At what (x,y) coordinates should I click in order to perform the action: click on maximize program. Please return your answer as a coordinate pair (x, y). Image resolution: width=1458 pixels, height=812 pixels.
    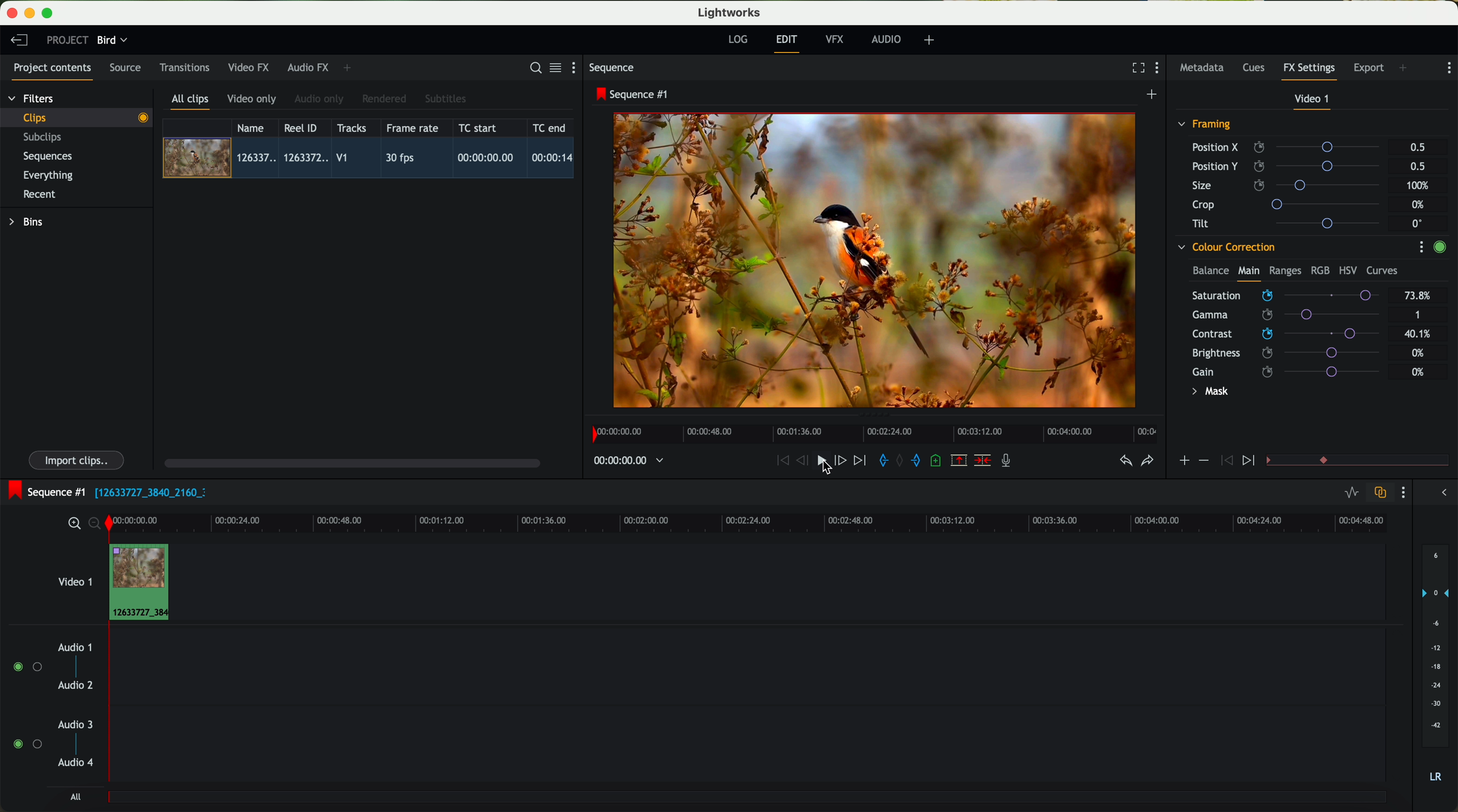
    Looking at the image, I should click on (49, 14).